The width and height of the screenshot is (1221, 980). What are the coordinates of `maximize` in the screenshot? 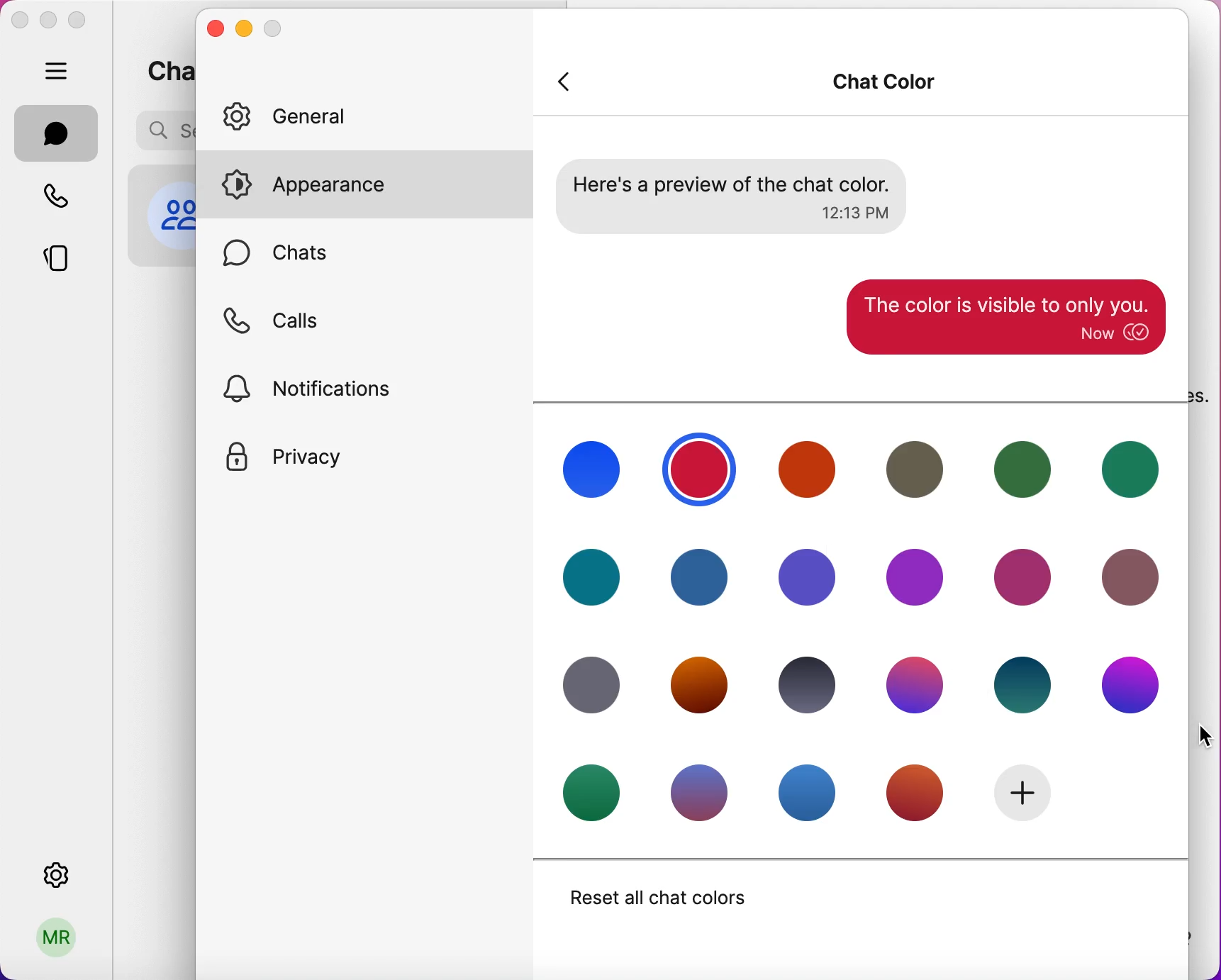 It's located at (82, 21).